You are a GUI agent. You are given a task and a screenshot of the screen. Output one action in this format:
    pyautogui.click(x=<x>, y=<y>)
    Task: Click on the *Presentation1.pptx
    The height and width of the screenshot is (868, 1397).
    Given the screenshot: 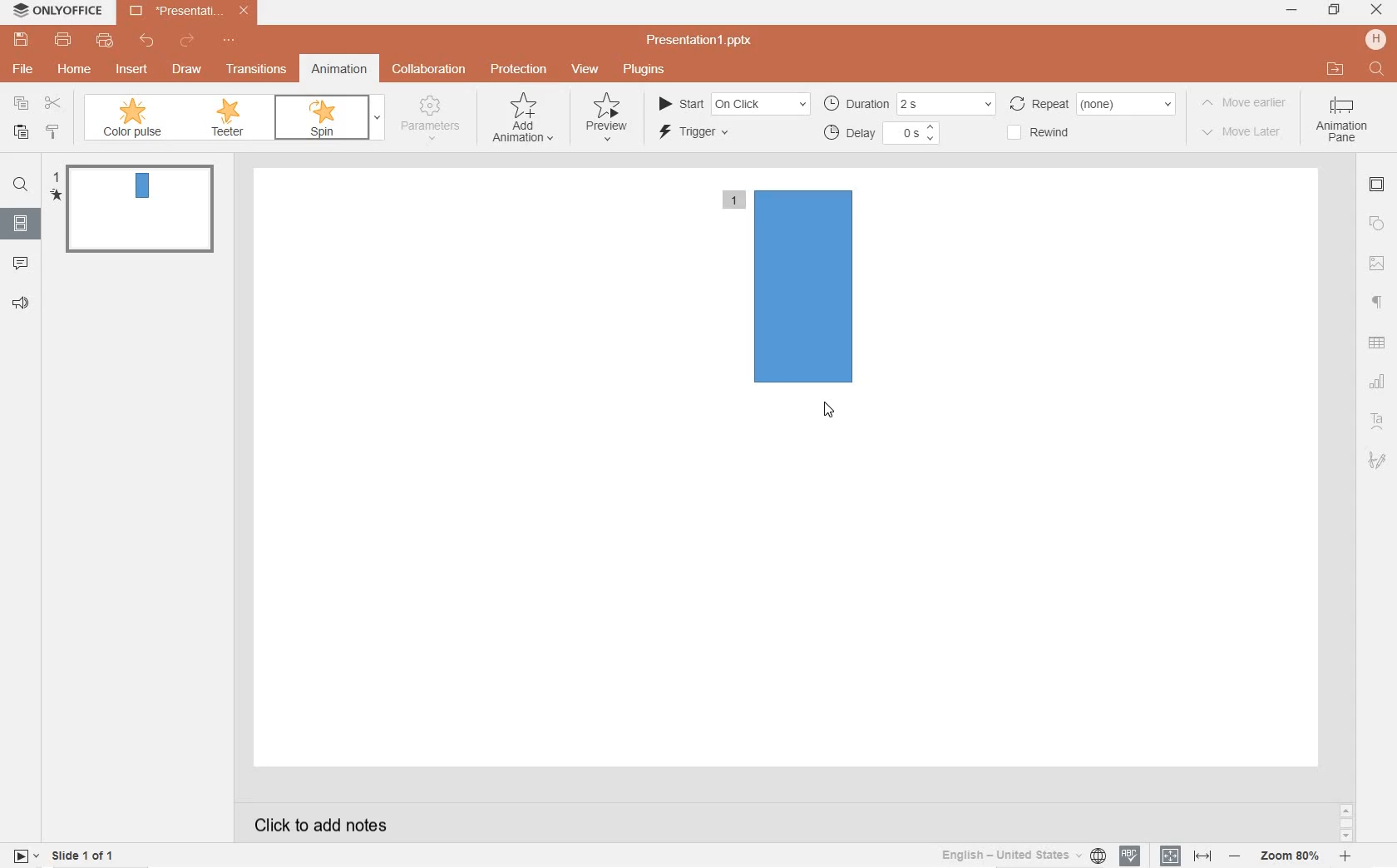 What is the action you would take?
    pyautogui.click(x=193, y=12)
    